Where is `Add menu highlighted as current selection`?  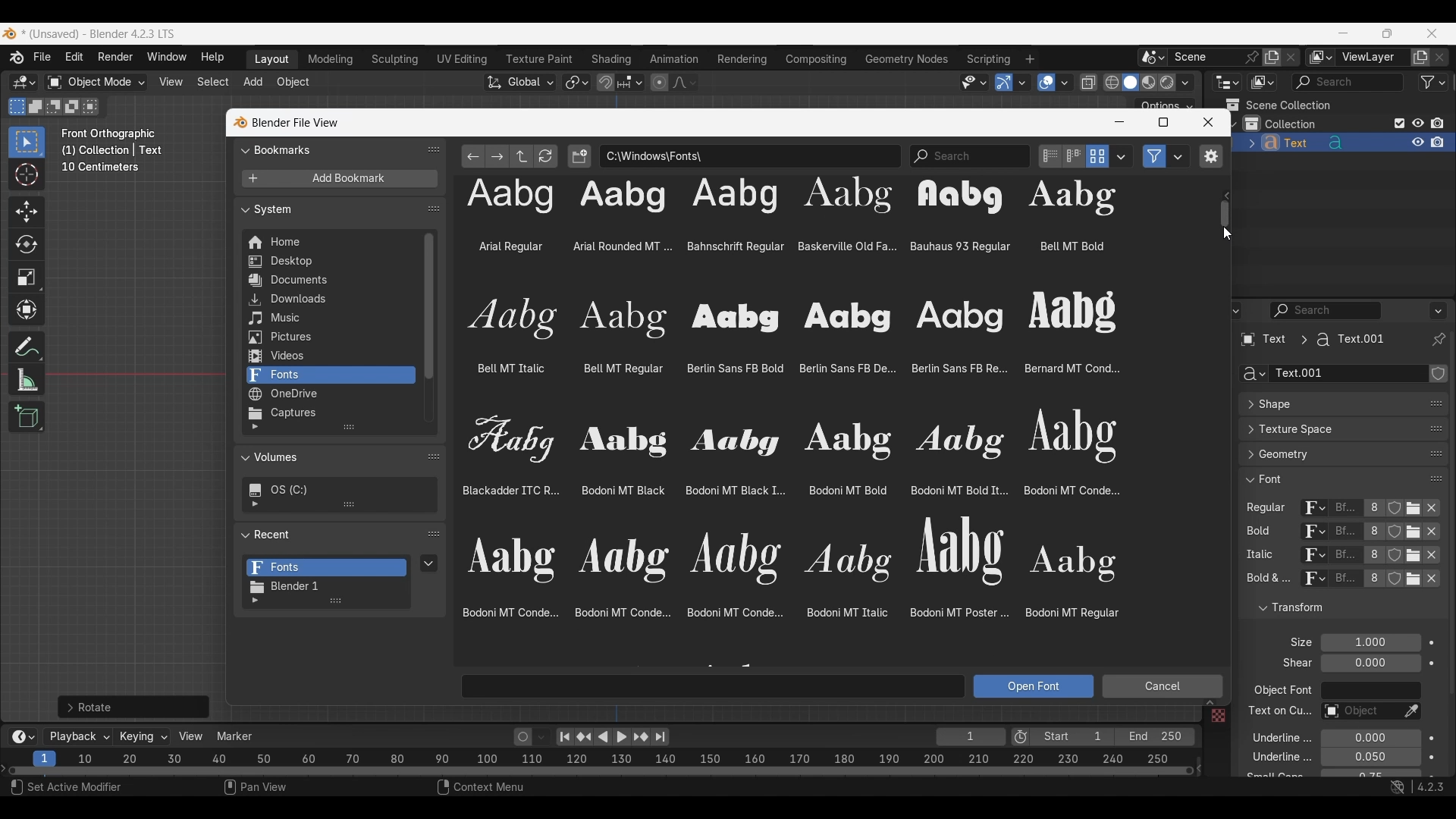
Add menu highlighted as current selection is located at coordinates (253, 83).